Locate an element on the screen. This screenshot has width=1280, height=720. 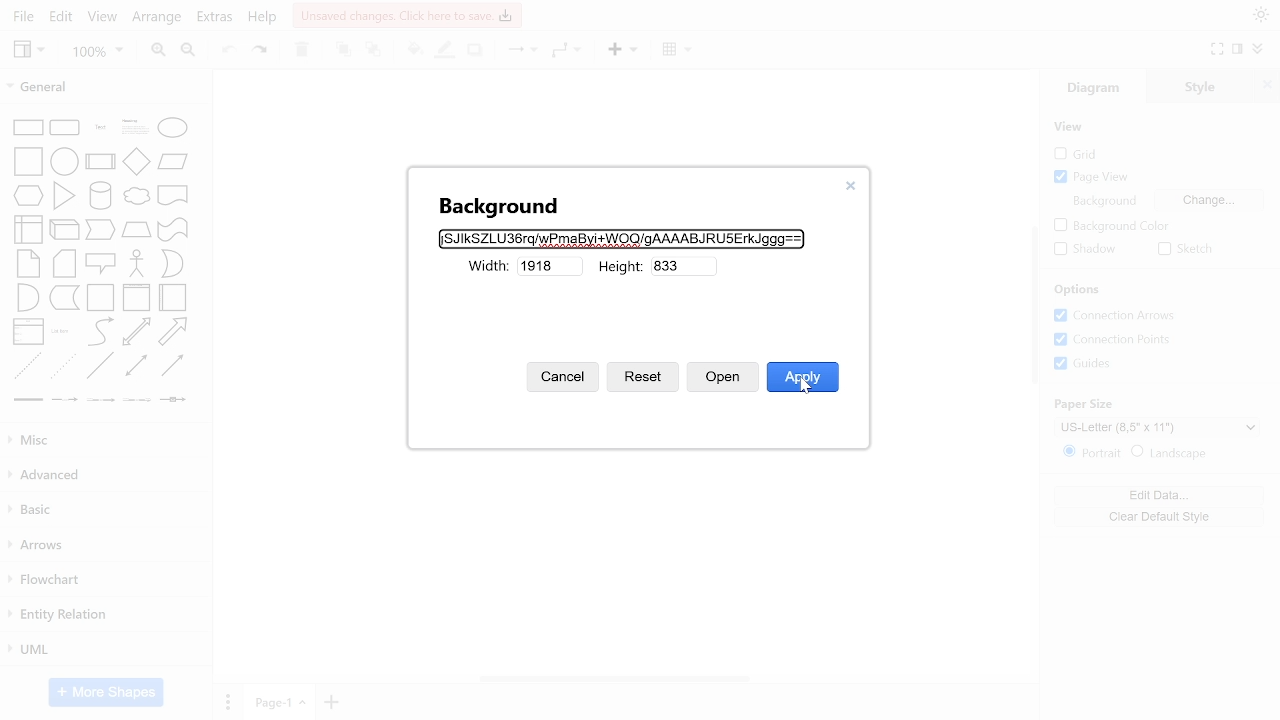
Height is located at coordinates (623, 267).